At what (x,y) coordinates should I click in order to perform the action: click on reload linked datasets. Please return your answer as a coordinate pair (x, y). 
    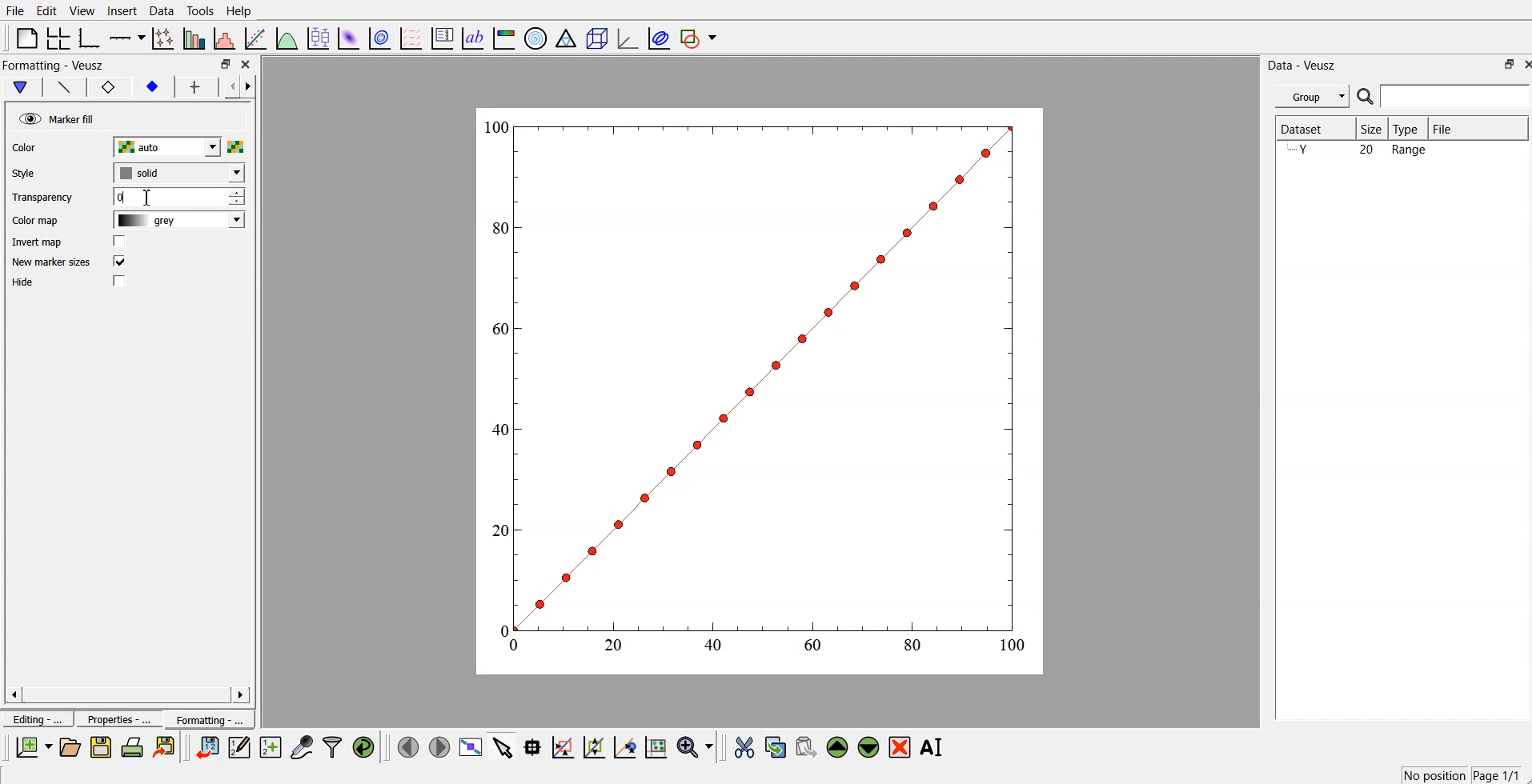
    Looking at the image, I should click on (366, 746).